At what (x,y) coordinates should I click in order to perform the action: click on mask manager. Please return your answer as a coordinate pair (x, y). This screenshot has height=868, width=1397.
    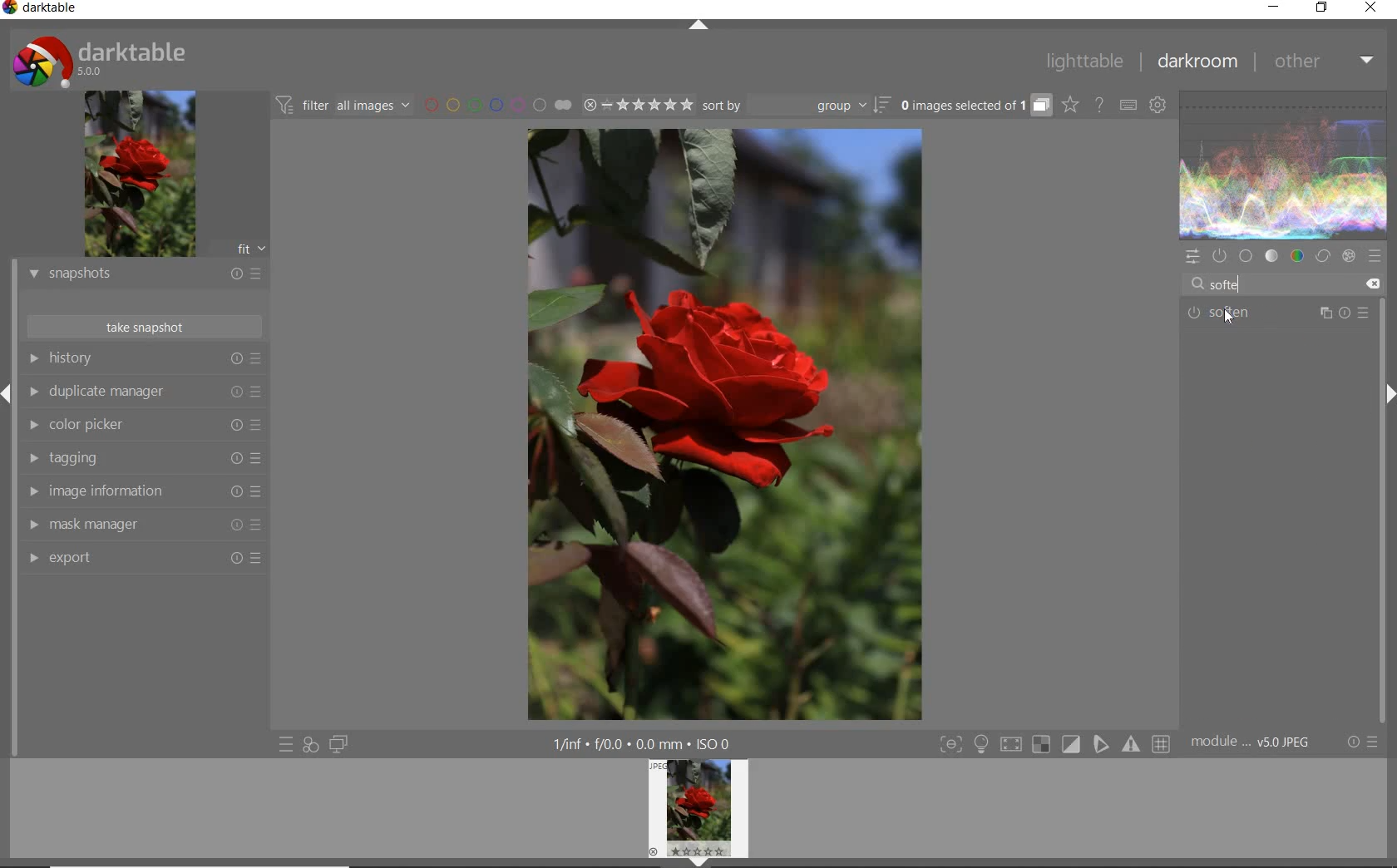
    Looking at the image, I should click on (142, 525).